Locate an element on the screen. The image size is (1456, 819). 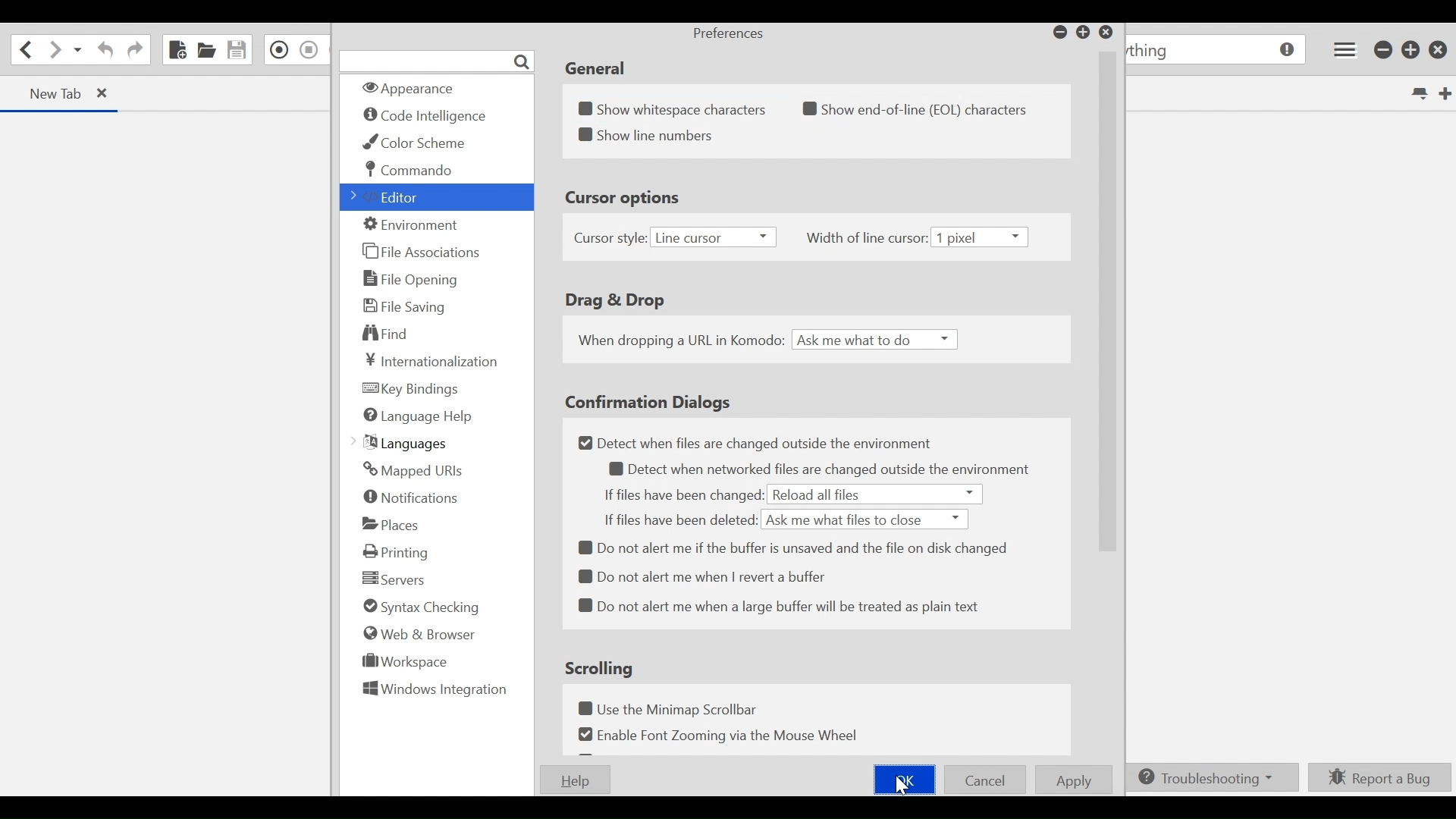
Save File is located at coordinates (236, 50).